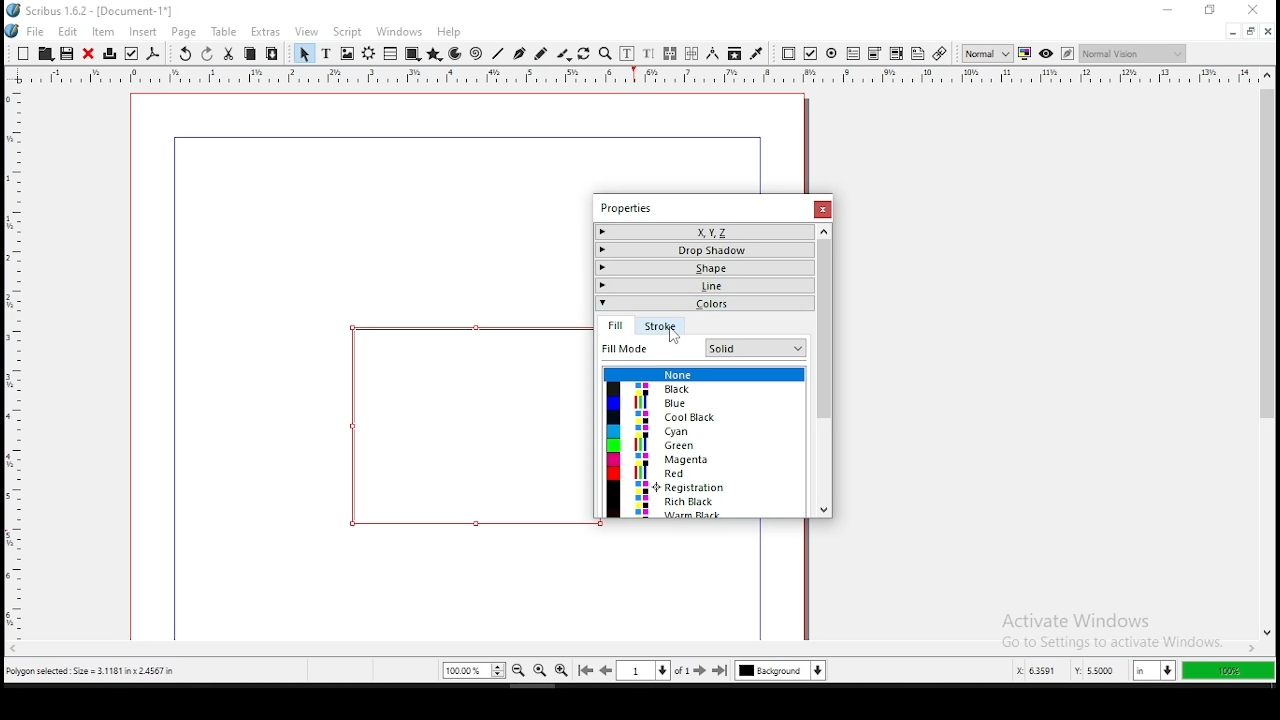  Describe the element at coordinates (704, 389) in the screenshot. I see `black` at that location.